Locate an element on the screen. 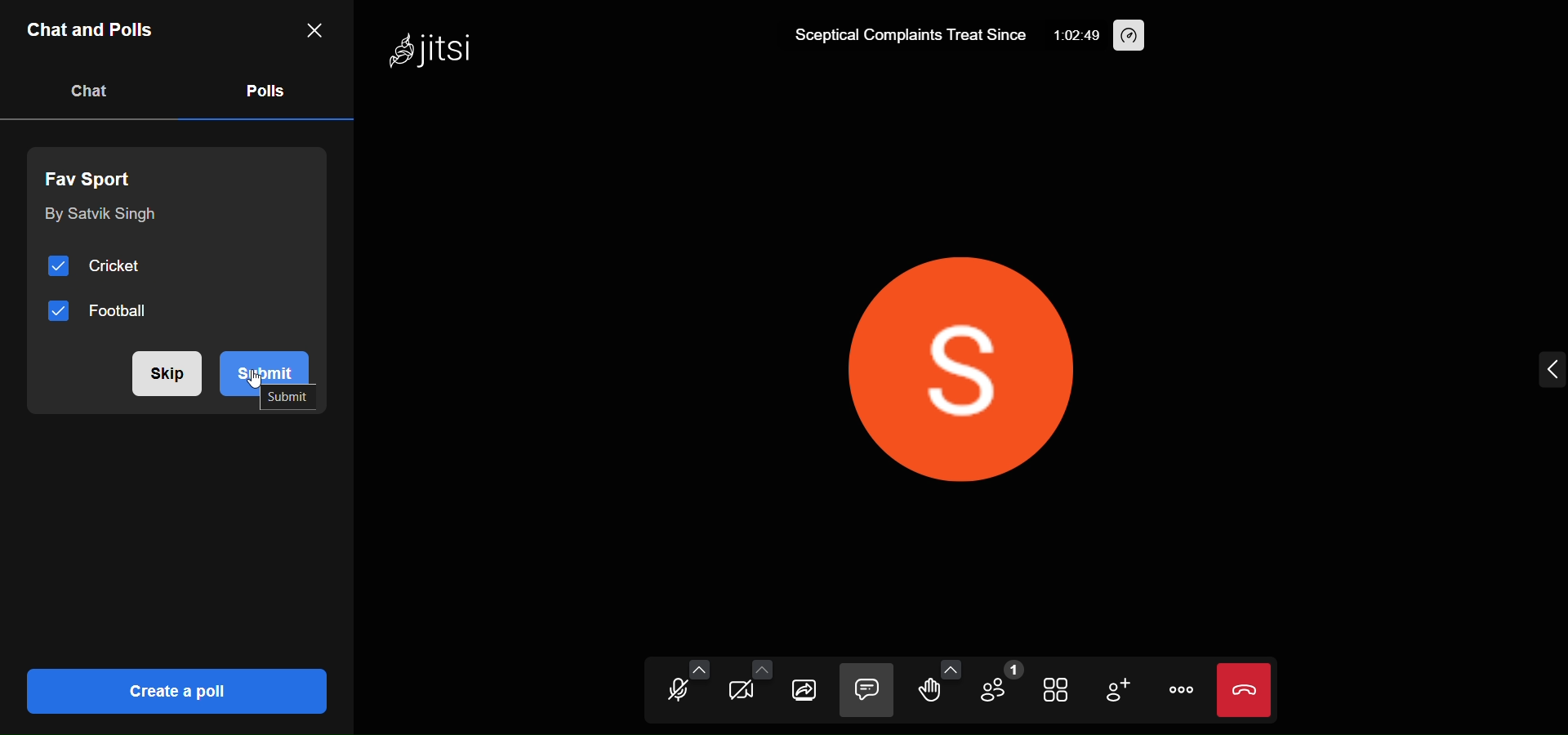  1:02:49 is located at coordinates (1073, 39).